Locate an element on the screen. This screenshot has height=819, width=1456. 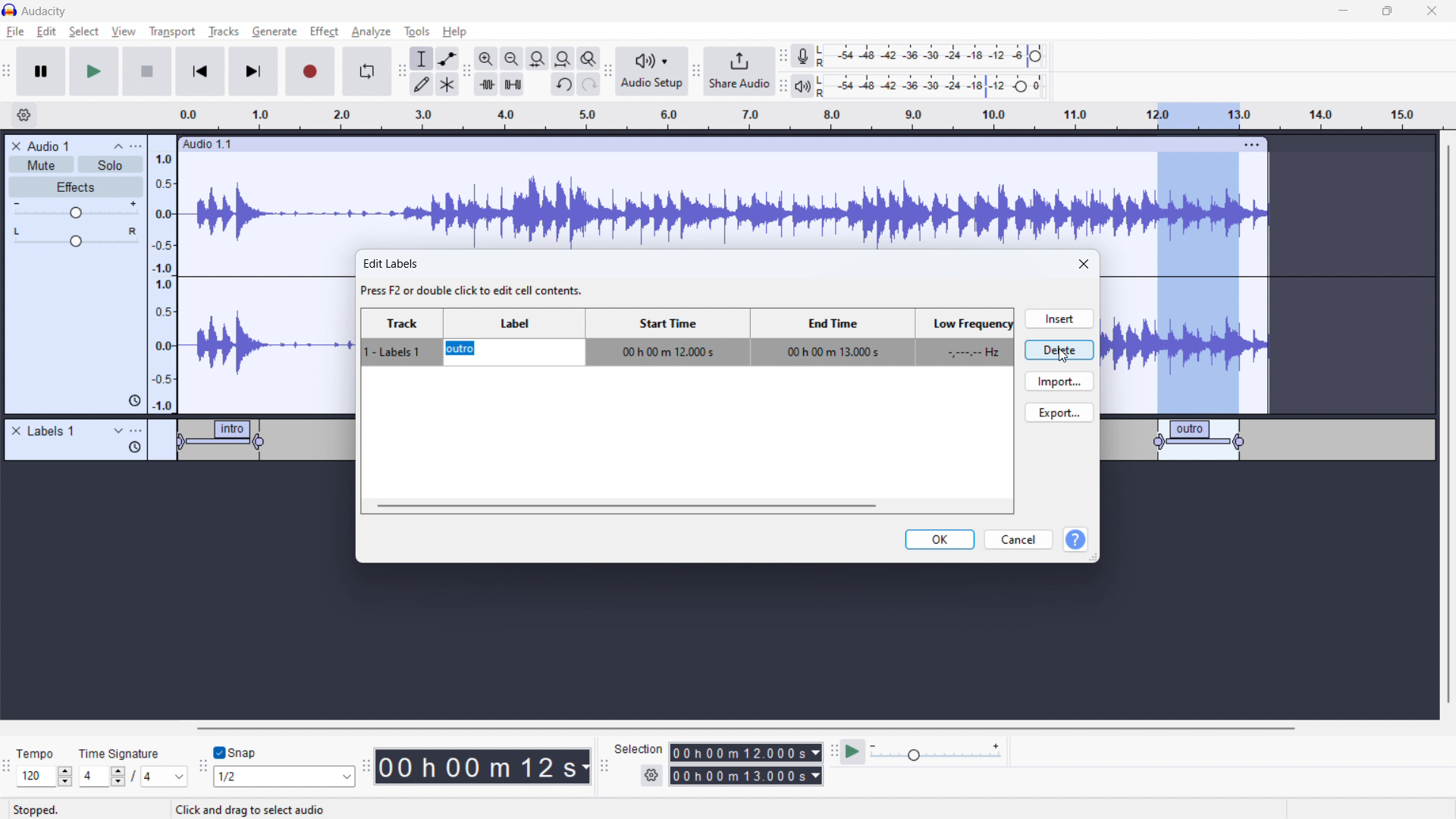
effect is located at coordinates (325, 32).